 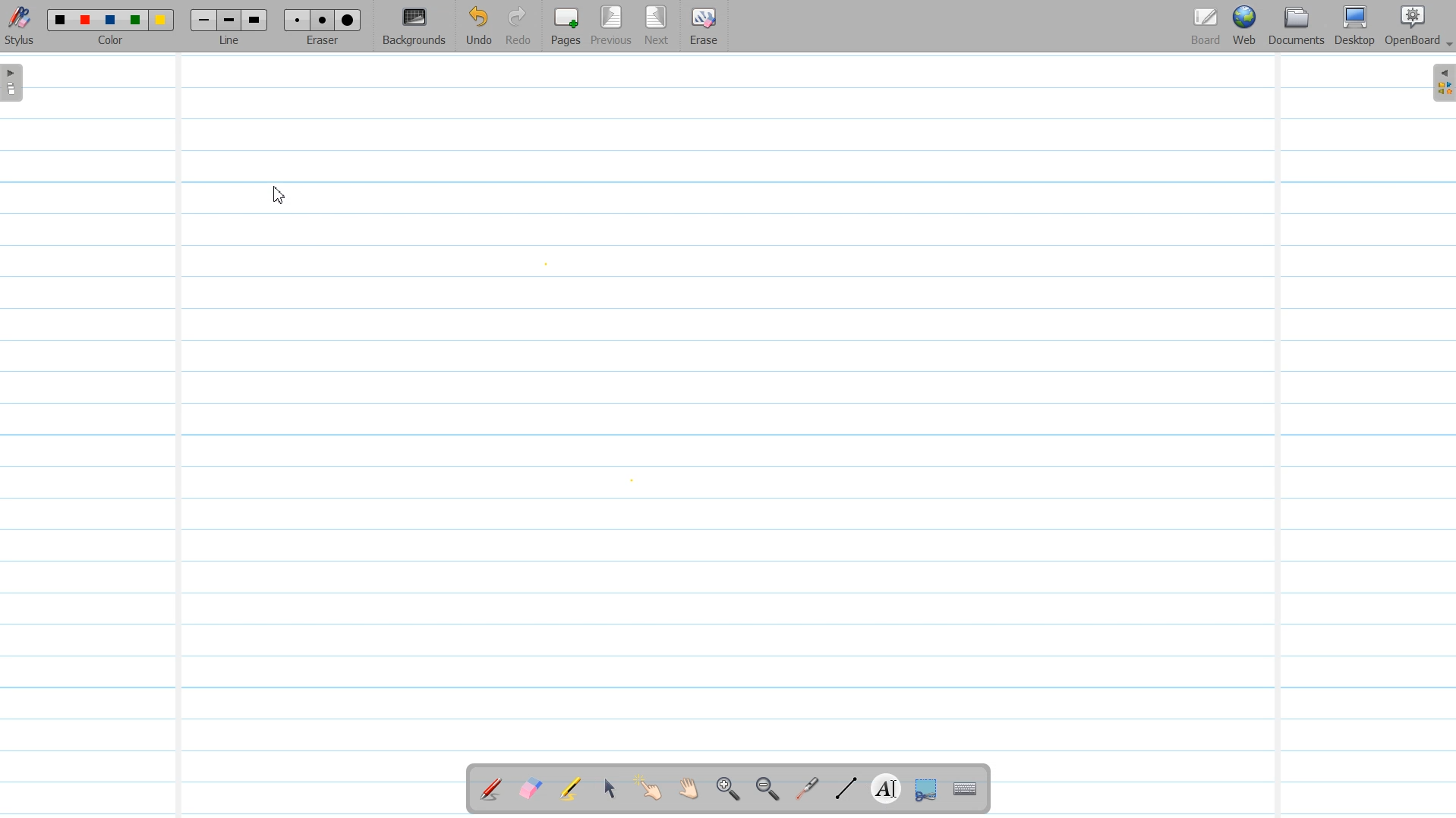 I want to click on Interact With Item, so click(x=649, y=790).